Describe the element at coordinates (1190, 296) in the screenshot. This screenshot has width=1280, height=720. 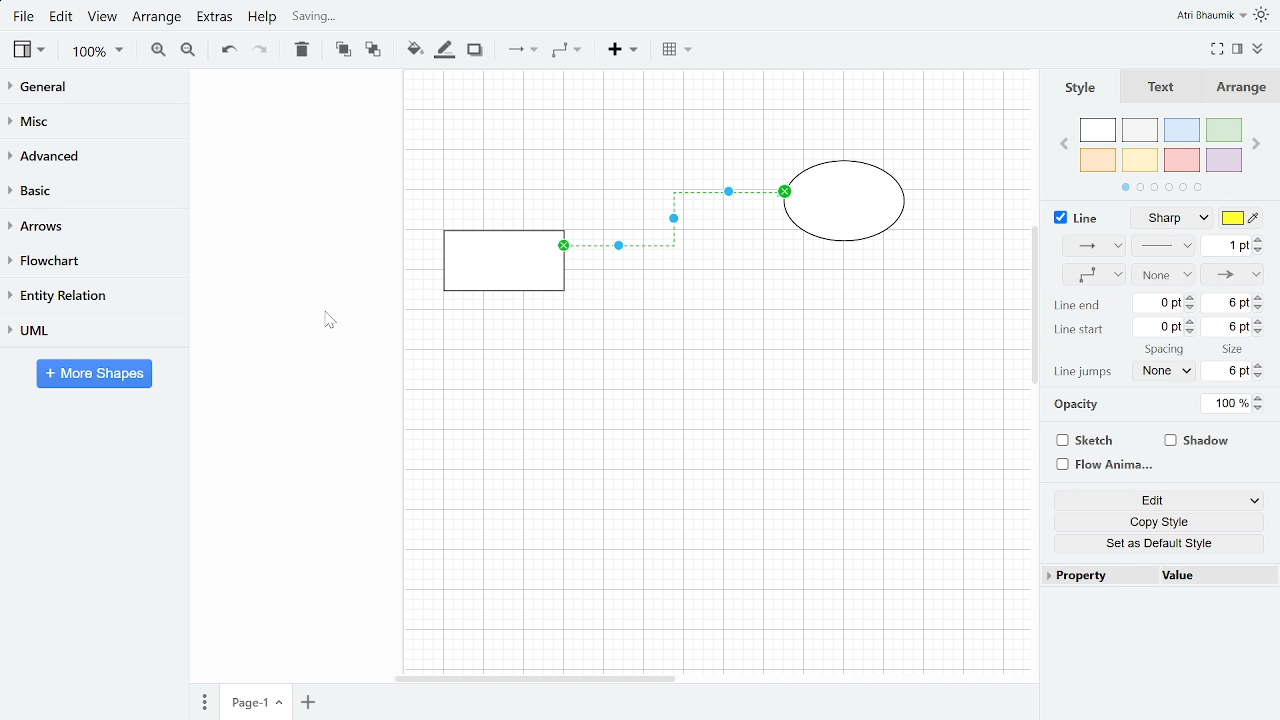
I see `Increase line end spacing` at that location.